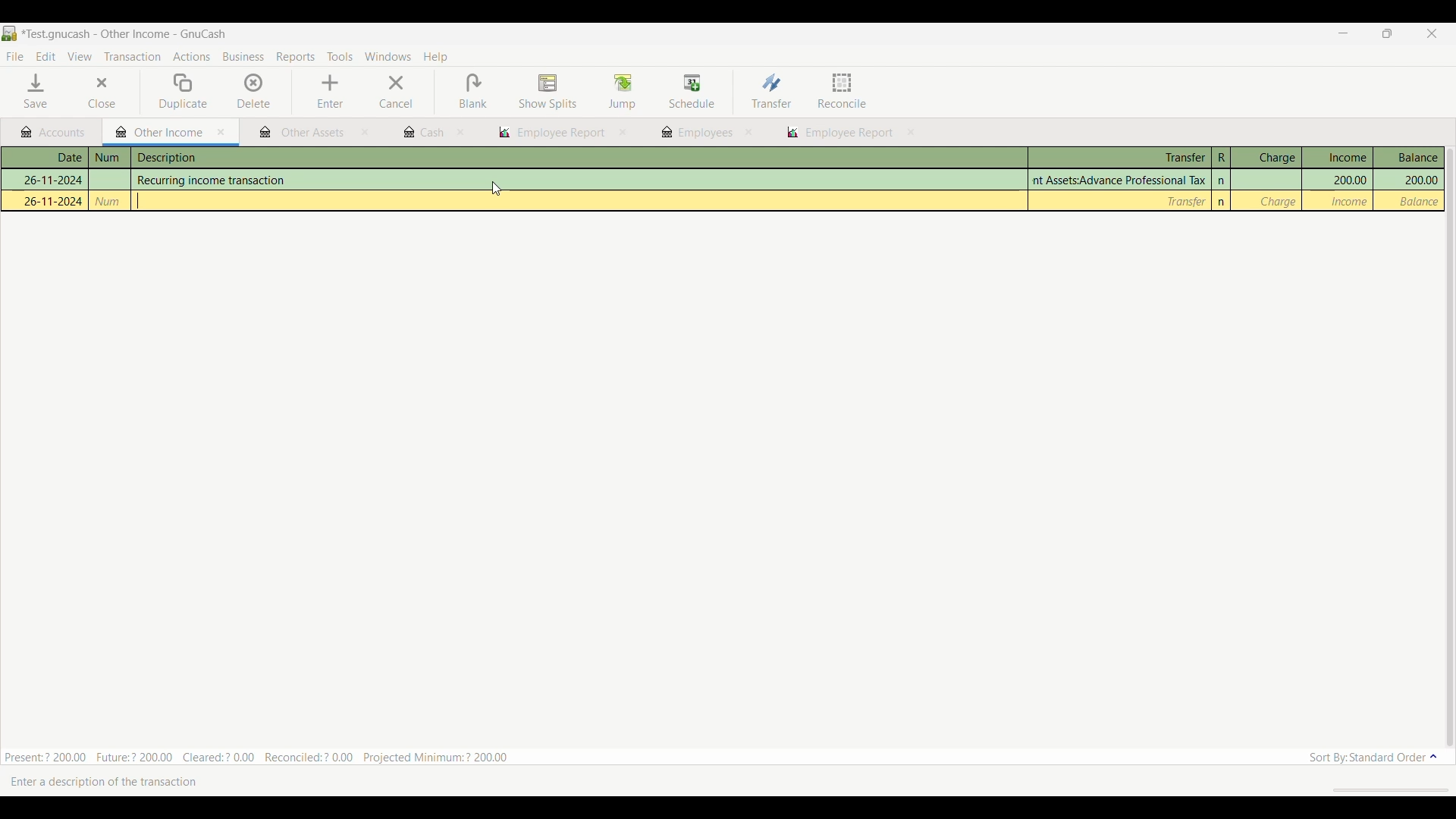  What do you see at coordinates (132, 57) in the screenshot?
I see `Transaction menu` at bounding box center [132, 57].